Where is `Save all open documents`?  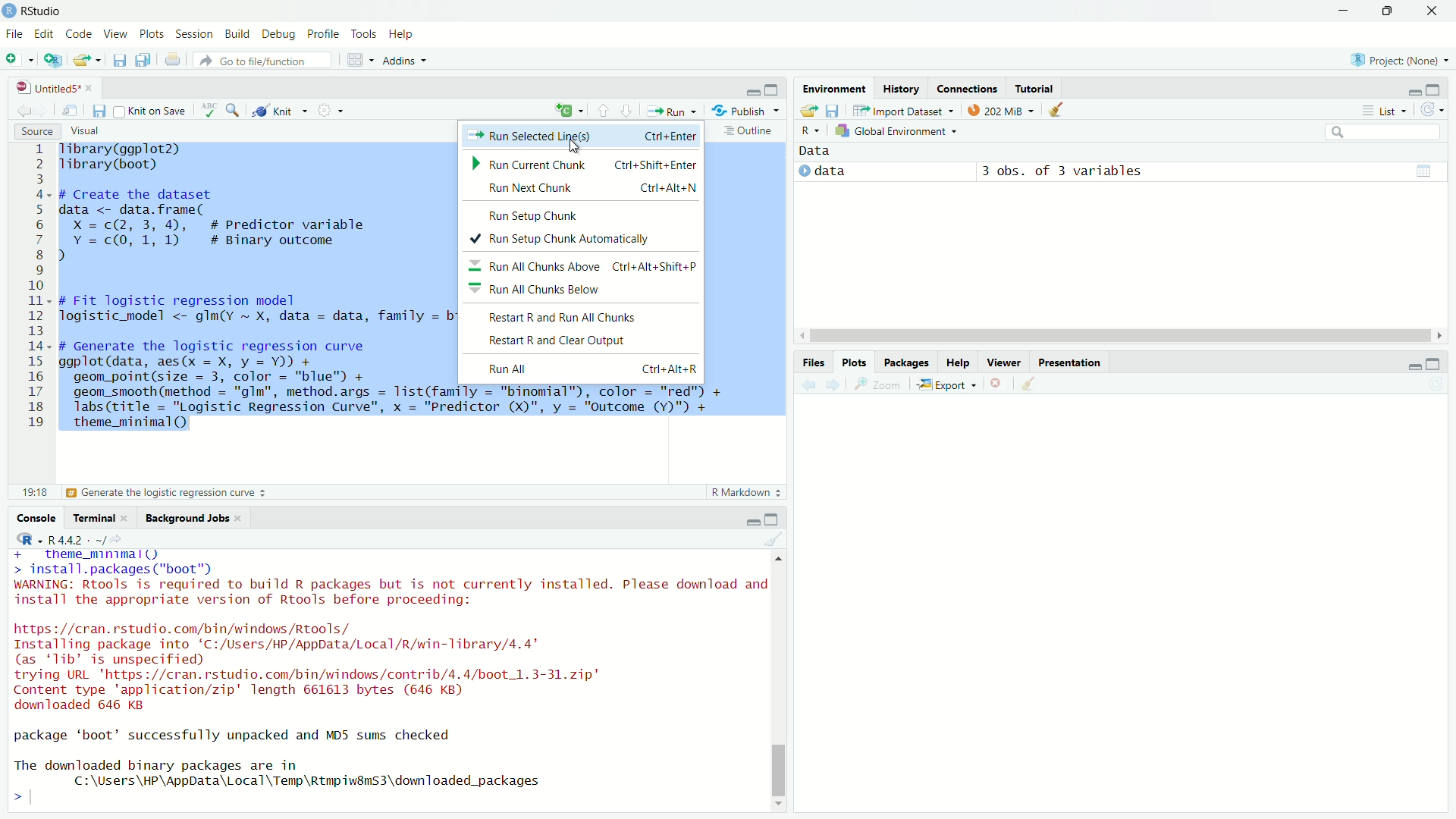
Save all open documents is located at coordinates (143, 58).